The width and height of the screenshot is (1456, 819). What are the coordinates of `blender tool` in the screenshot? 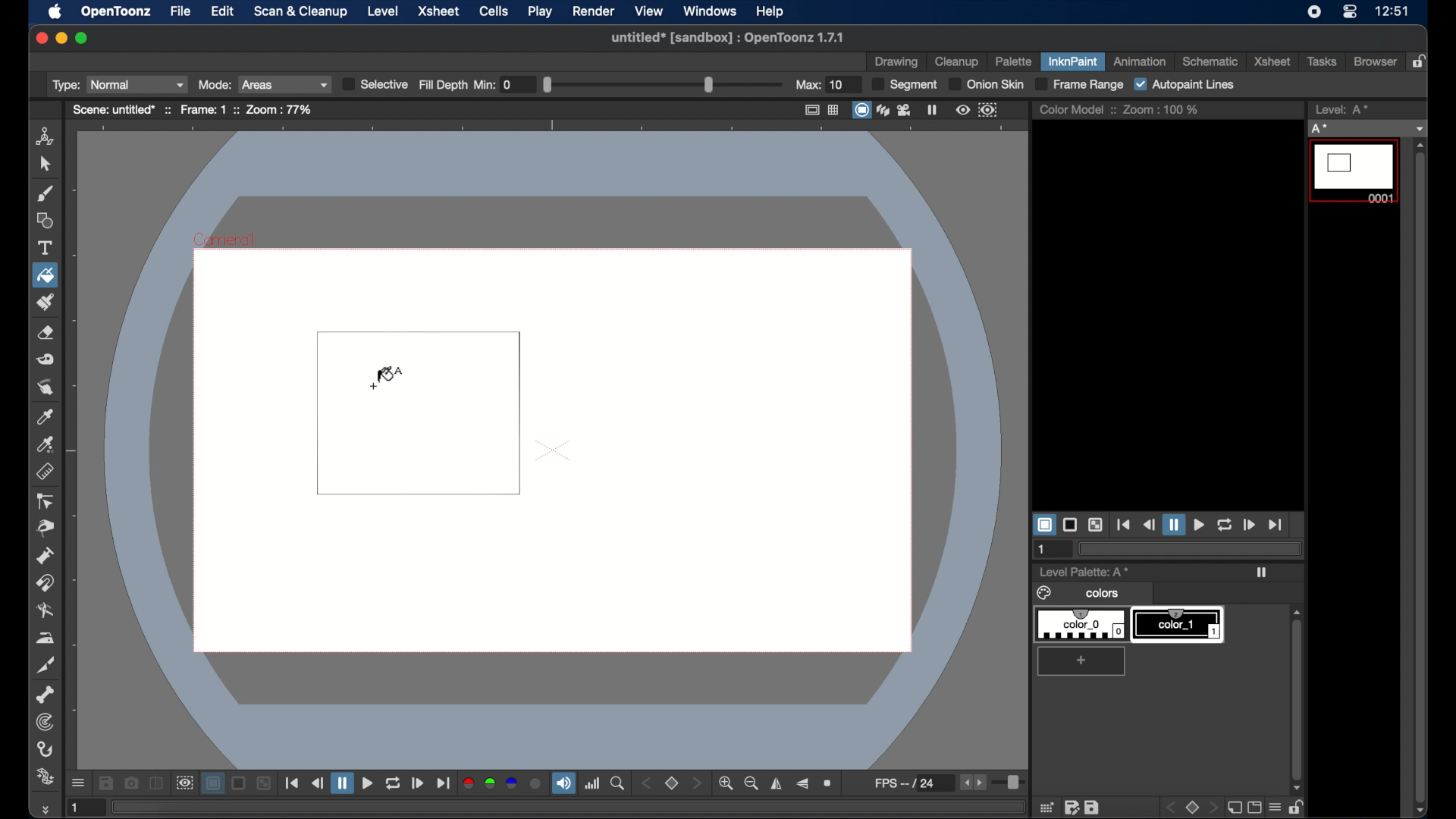 It's located at (45, 612).